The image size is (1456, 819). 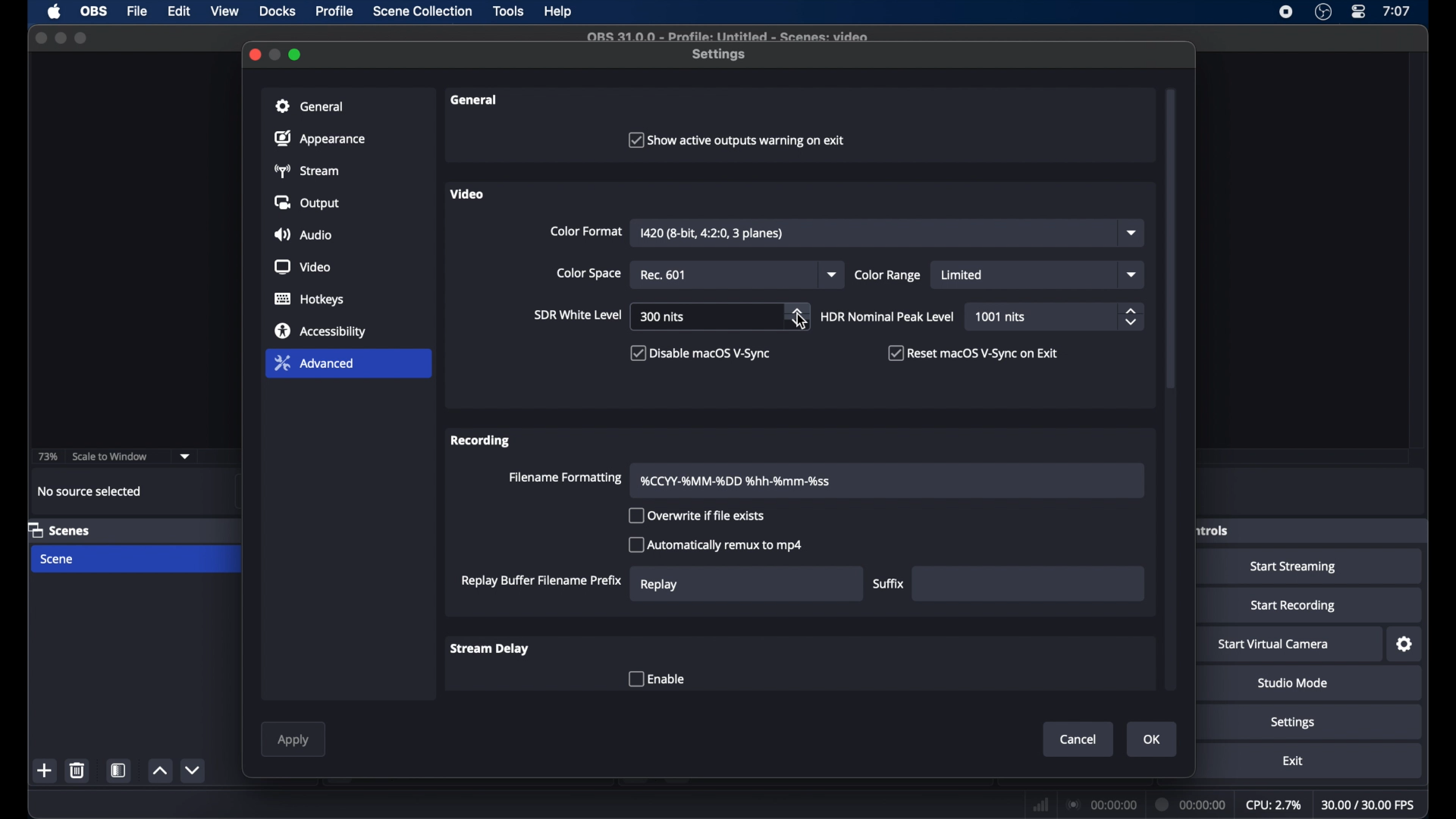 I want to click on hotkeys, so click(x=309, y=299).